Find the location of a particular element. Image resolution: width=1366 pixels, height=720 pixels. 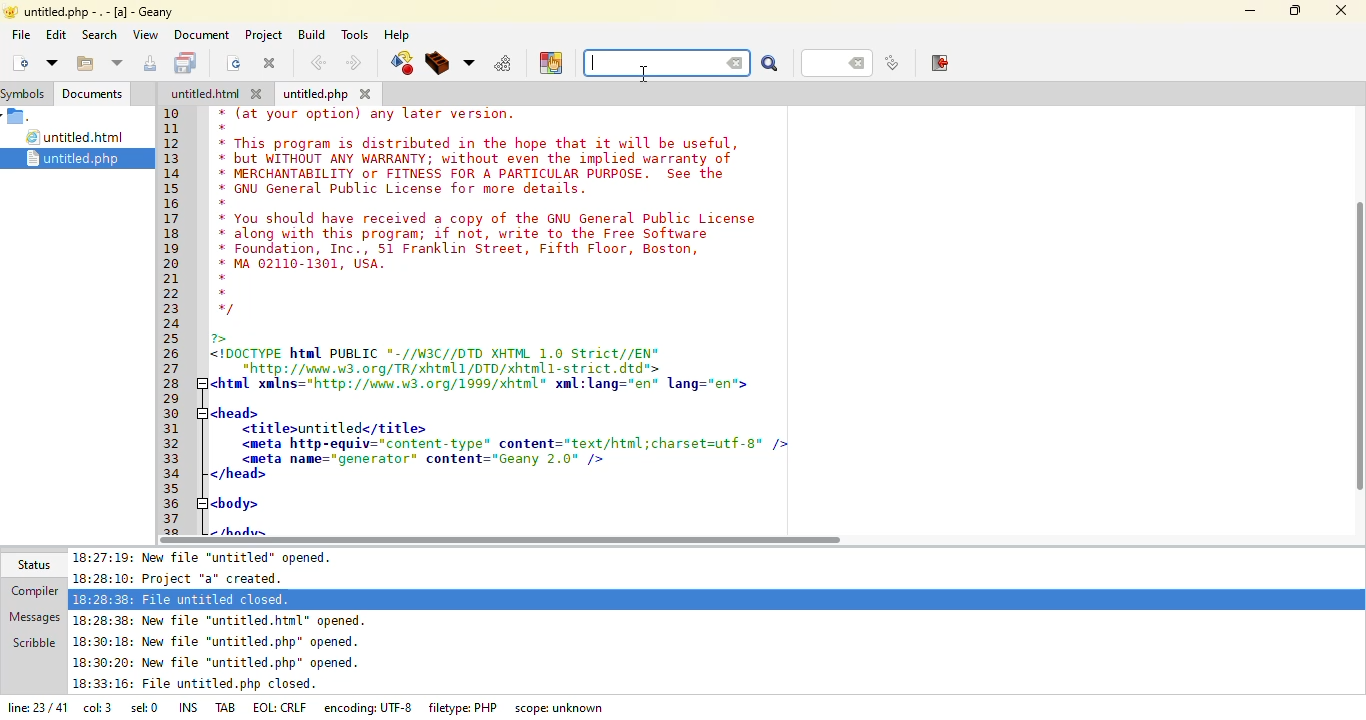

30 is located at coordinates (176, 414).